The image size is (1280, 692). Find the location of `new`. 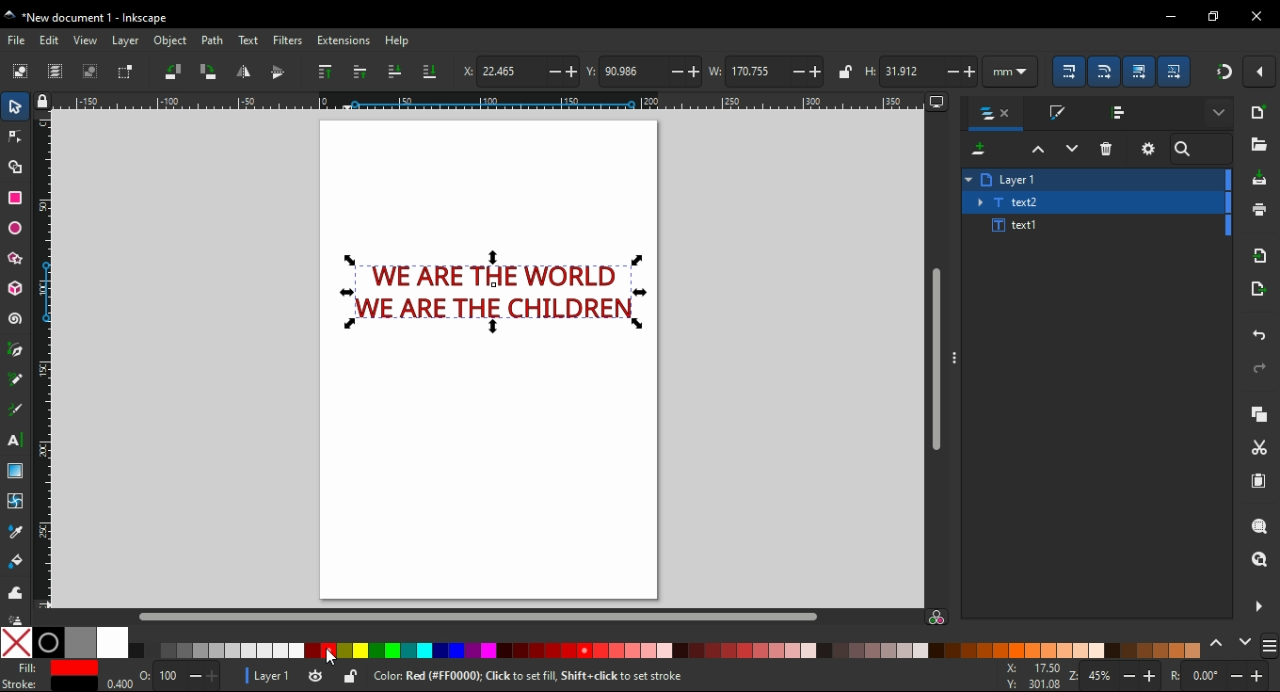

new is located at coordinates (1257, 113).